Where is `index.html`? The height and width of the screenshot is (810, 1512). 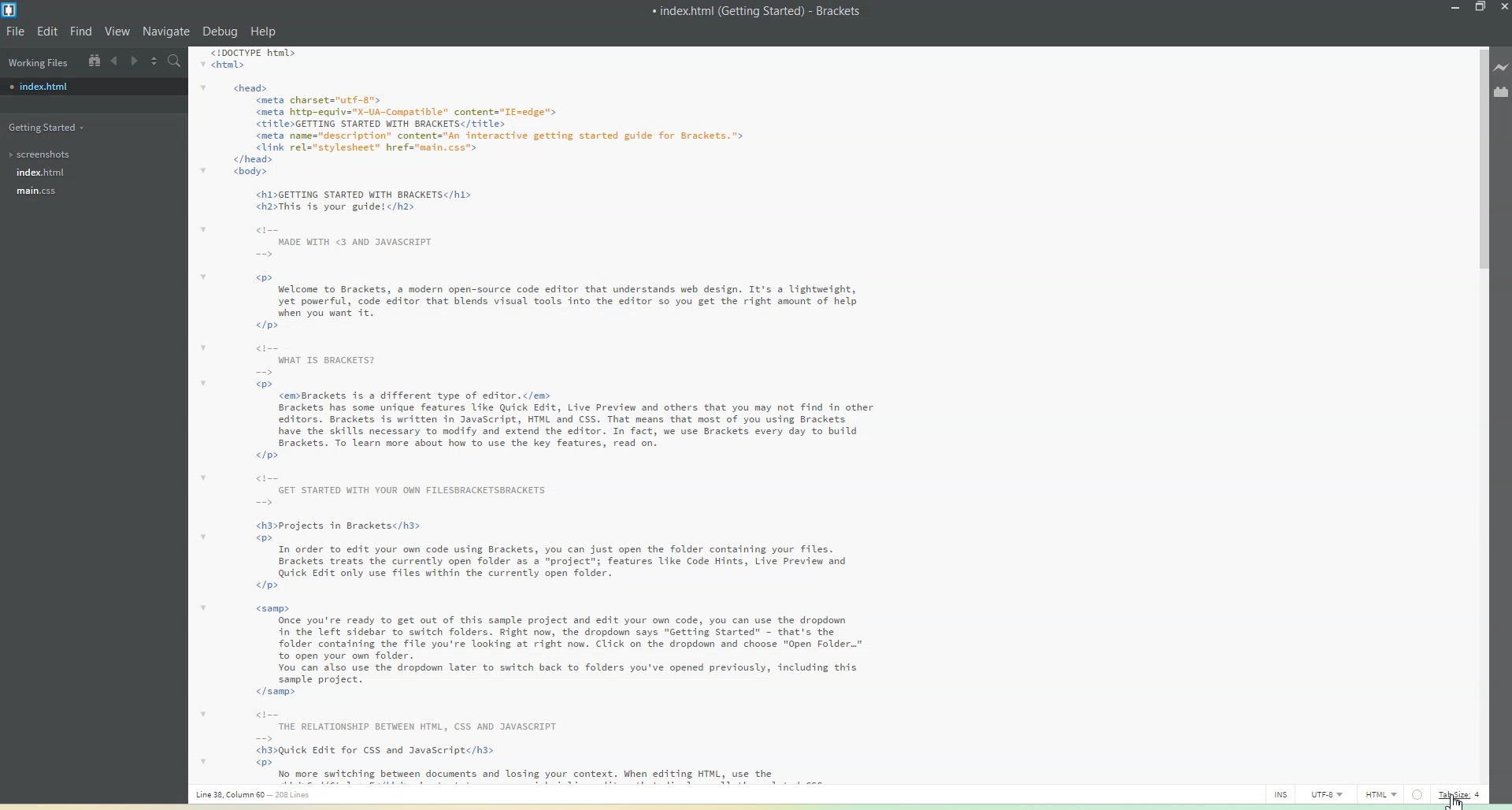
index.html is located at coordinates (41, 171).